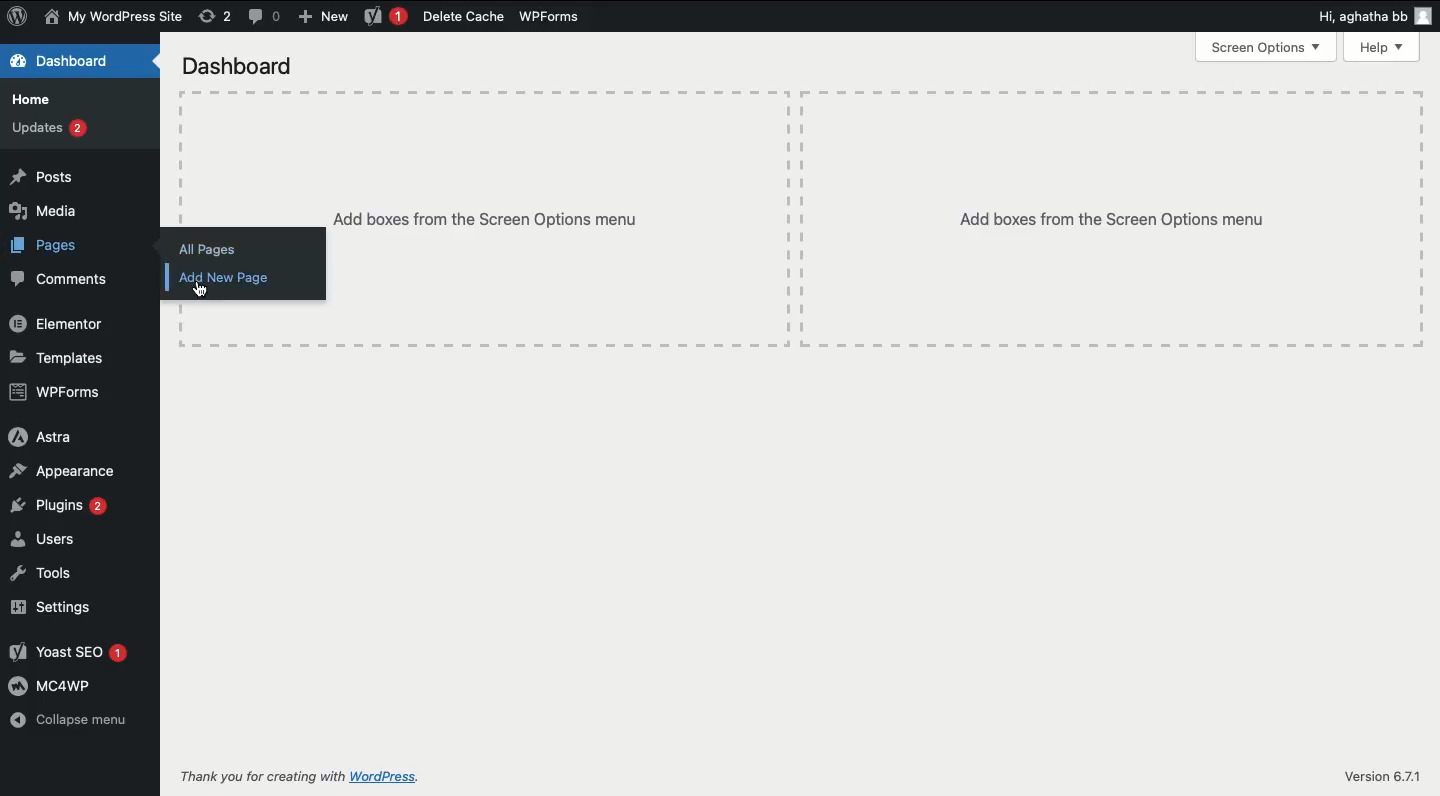 The height and width of the screenshot is (796, 1440). What do you see at coordinates (200, 295) in the screenshot?
I see `Cursor` at bounding box center [200, 295].